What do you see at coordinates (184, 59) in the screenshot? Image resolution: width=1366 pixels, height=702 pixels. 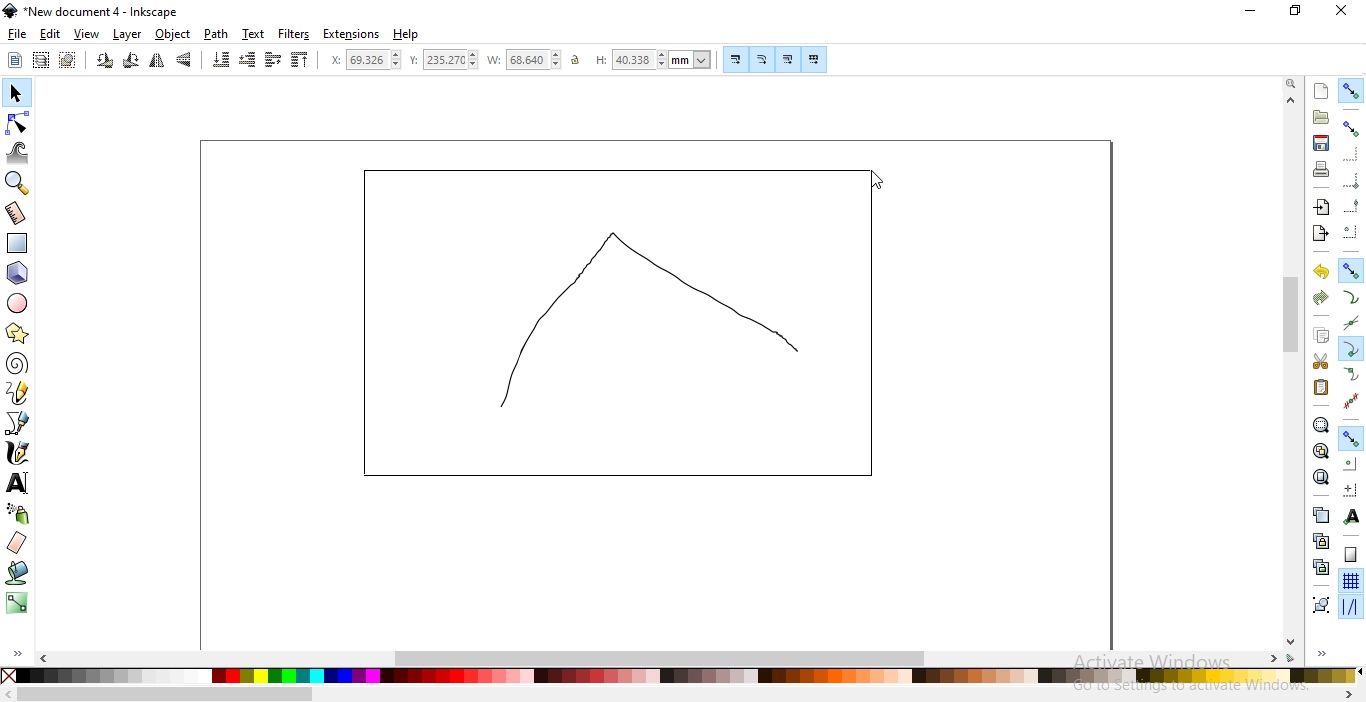 I see `flip vertically` at bounding box center [184, 59].